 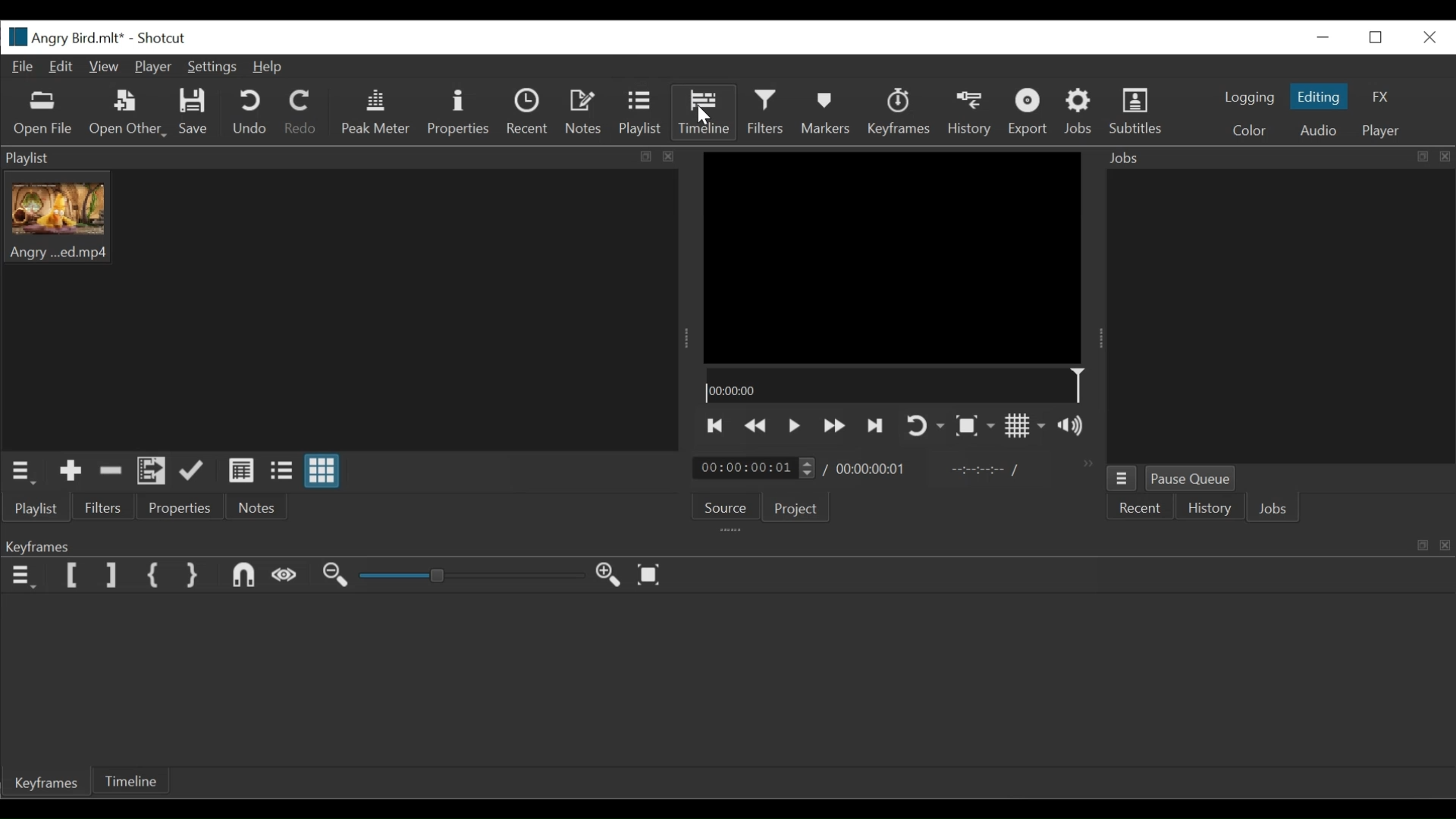 What do you see at coordinates (183, 507) in the screenshot?
I see `Properties` at bounding box center [183, 507].